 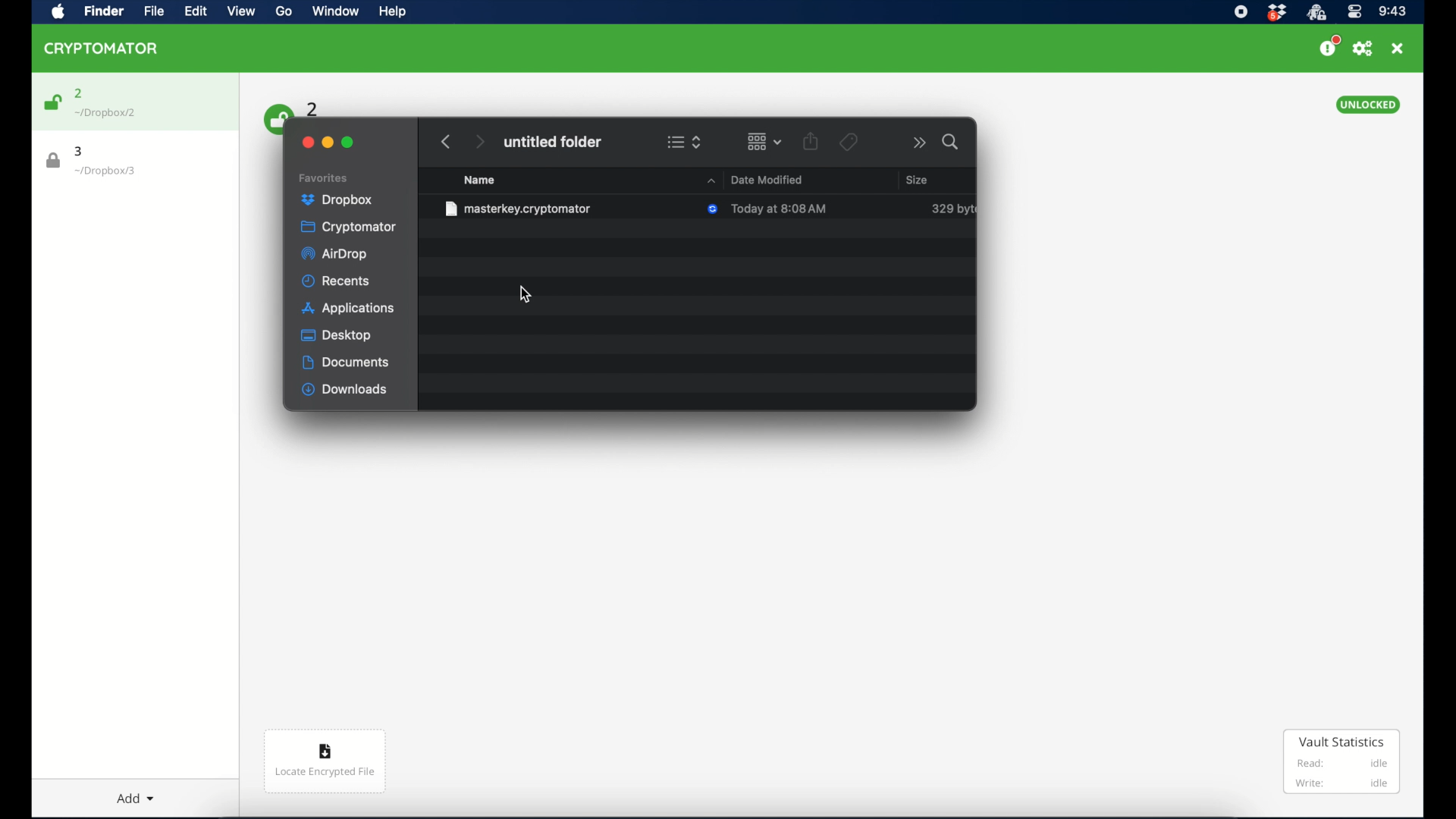 I want to click on downloads, so click(x=345, y=390).